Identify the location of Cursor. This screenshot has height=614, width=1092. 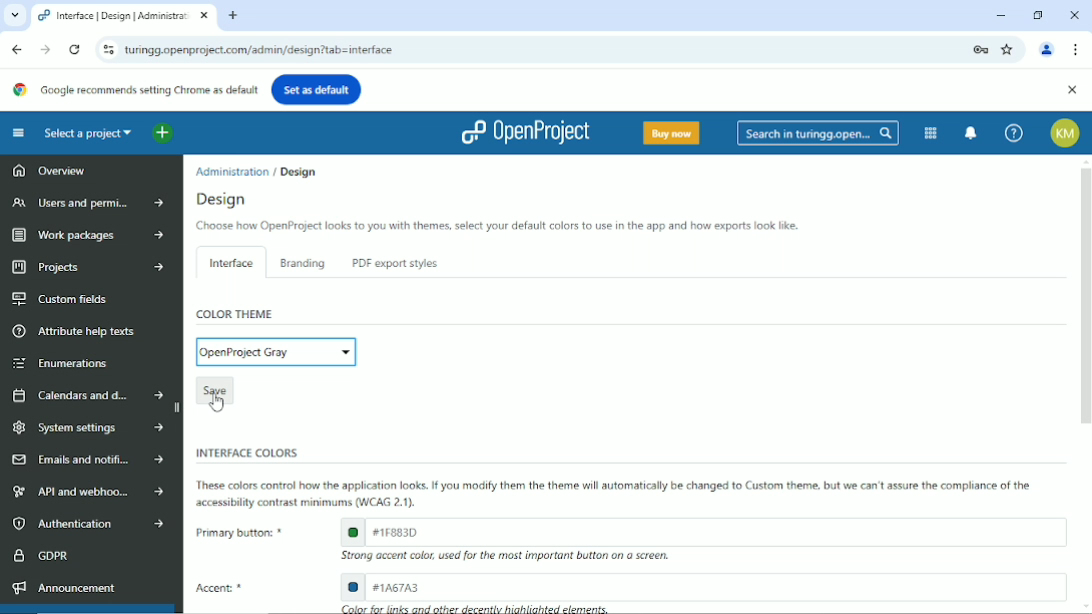
(217, 401).